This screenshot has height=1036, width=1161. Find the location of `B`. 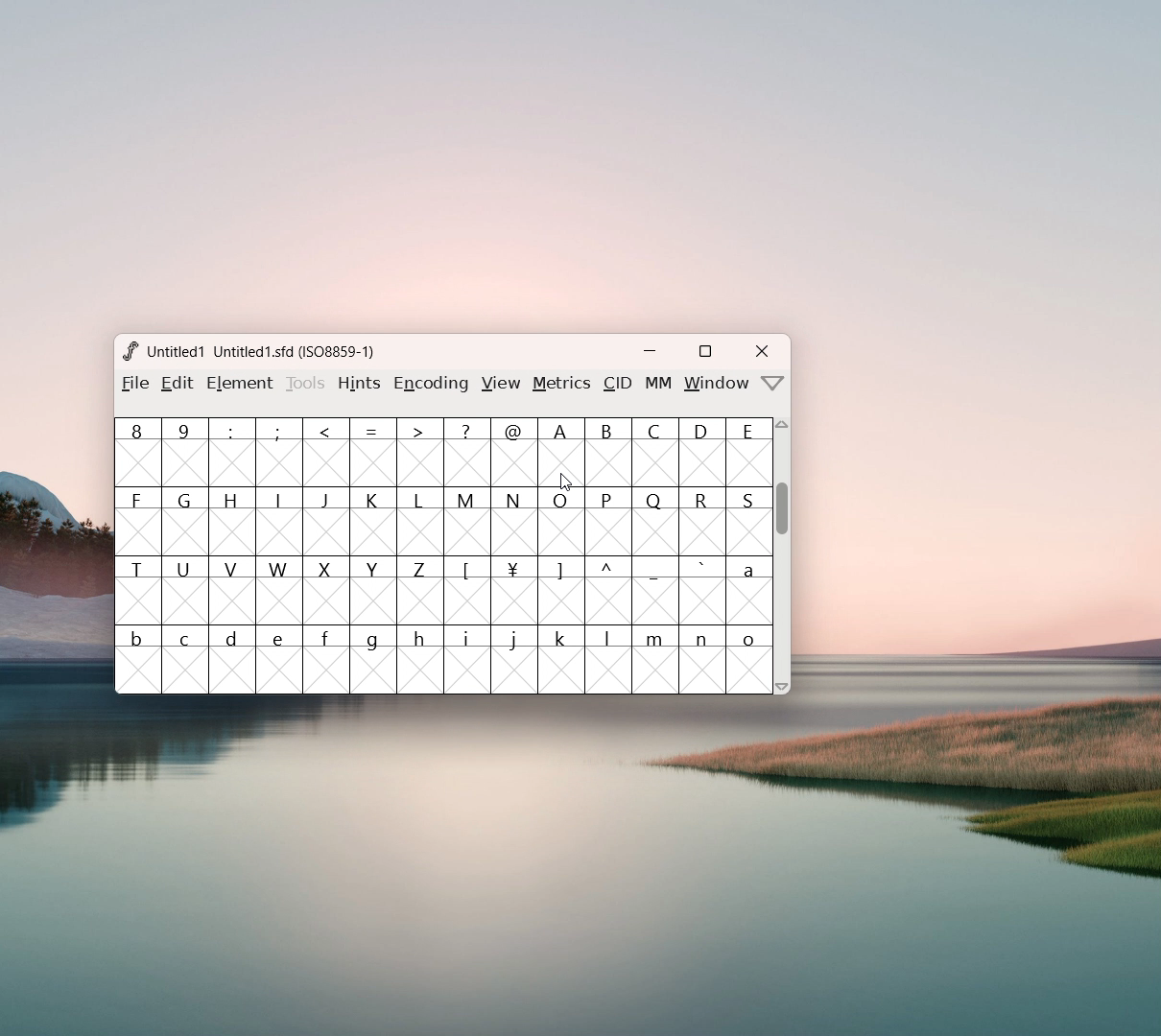

B is located at coordinates (608, 452).